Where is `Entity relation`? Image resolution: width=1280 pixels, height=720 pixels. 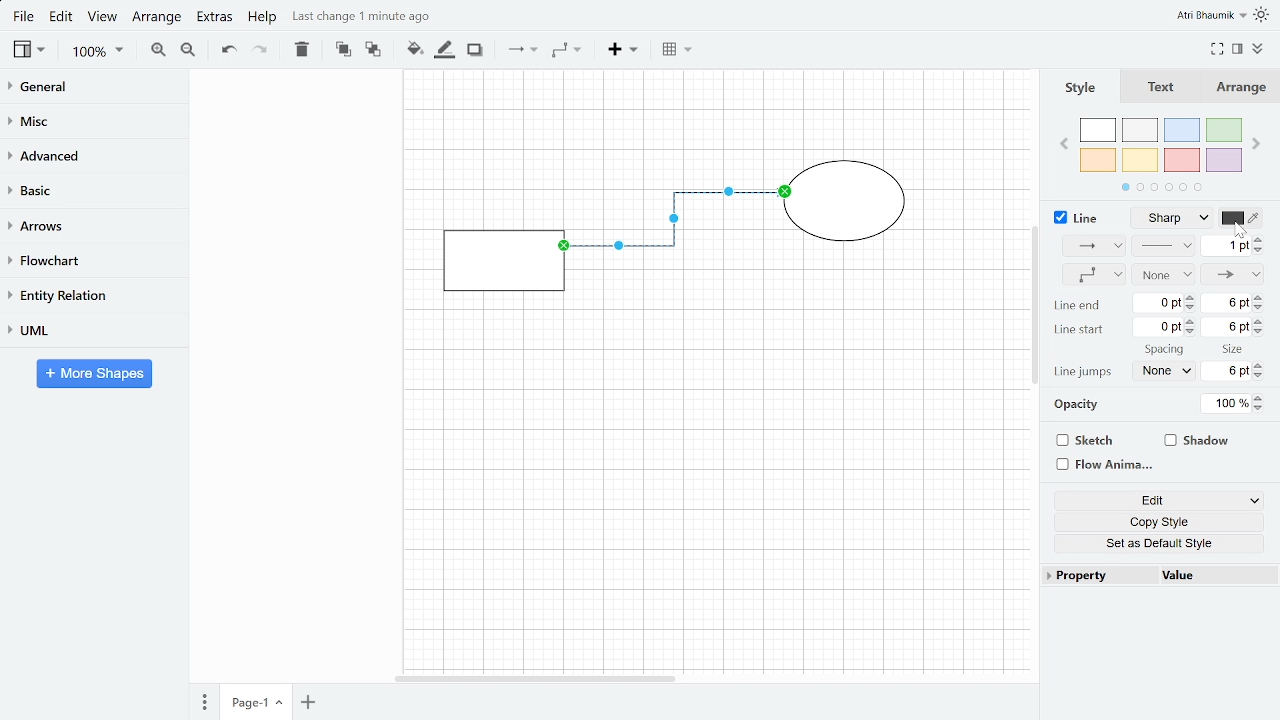
Entity relation is located at coordinates (91, 294).